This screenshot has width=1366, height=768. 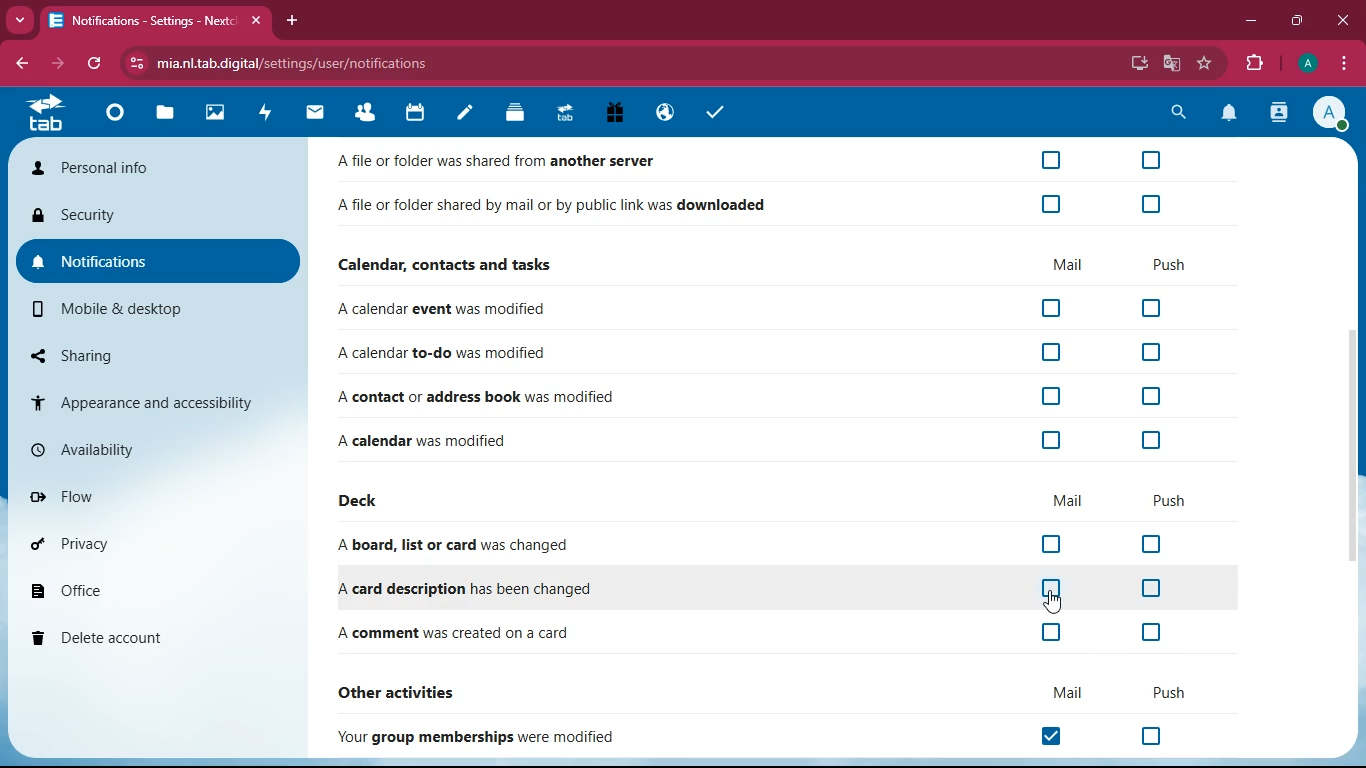 I want to click on calendar, so click(x=415, y=114).